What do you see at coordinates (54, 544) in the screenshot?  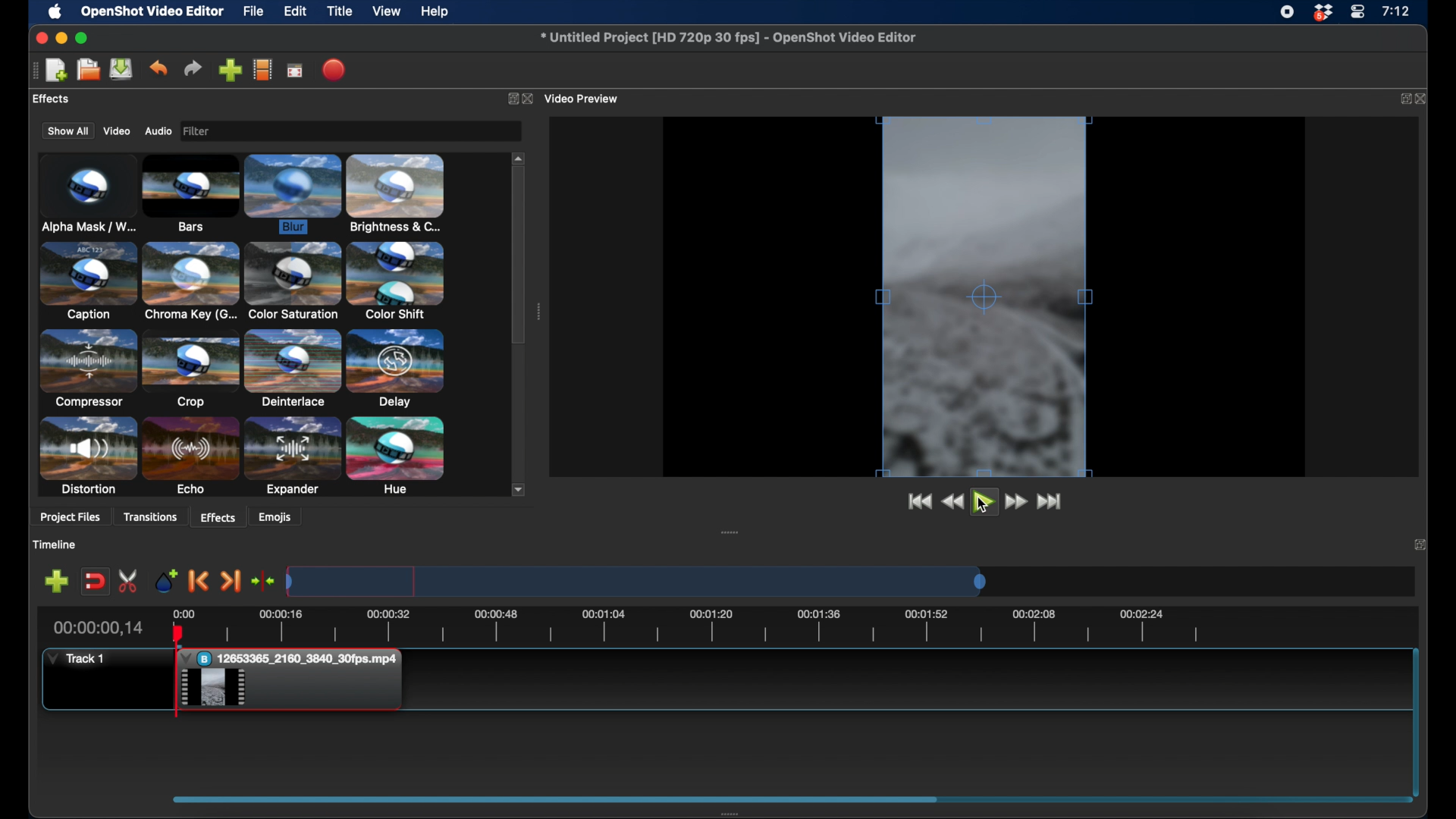 I see `timeline` at bounding box center [54, 544].